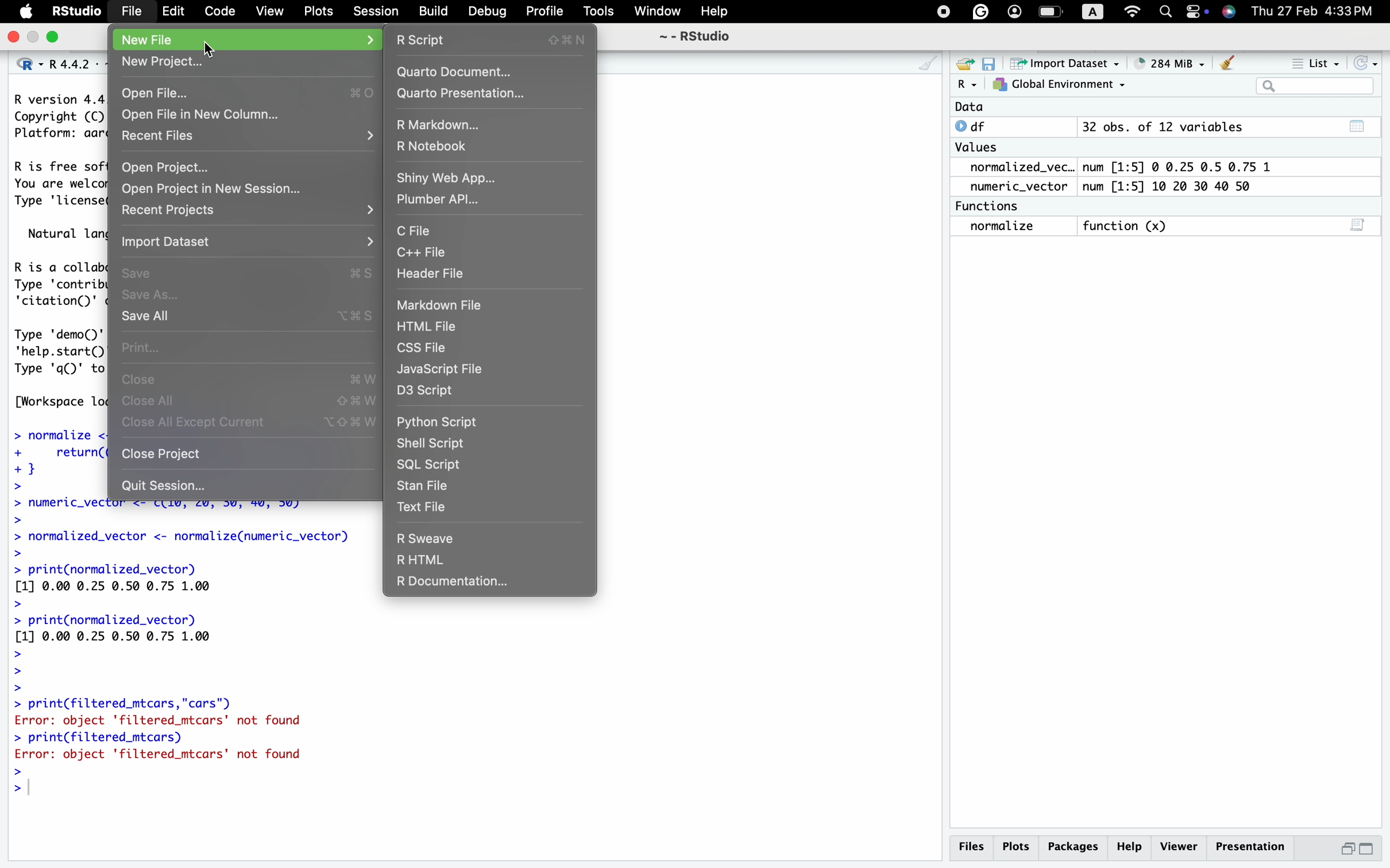 The height and width of the screenshot is (868, 1390). What do you see at coordinates (1317, 63) in the screenshot?
I see `List ` at bounding box center [1317, 63].